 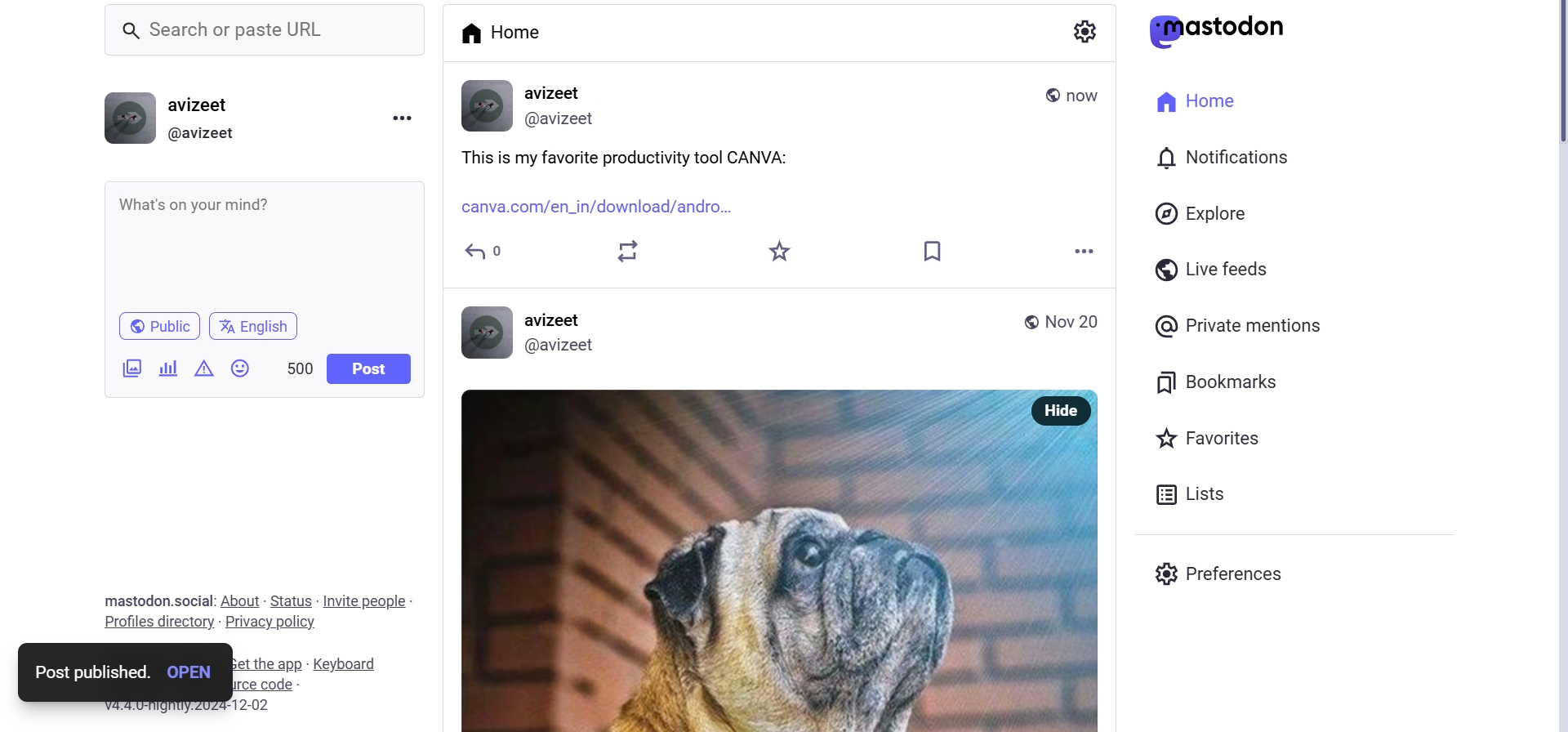 I want to click on add poll, so click(x=167, y=368).